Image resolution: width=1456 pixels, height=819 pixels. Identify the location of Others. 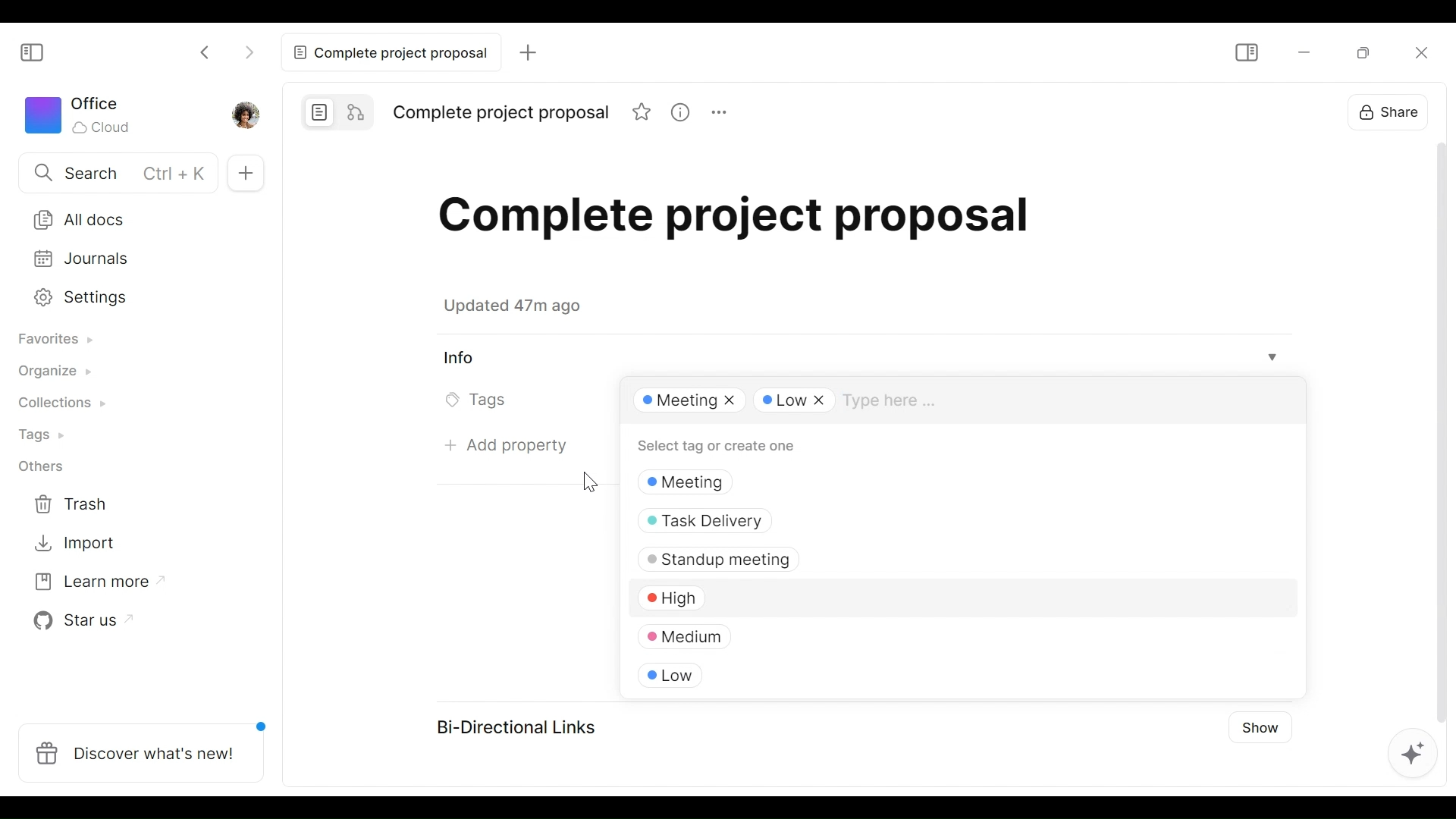
(48, 469).